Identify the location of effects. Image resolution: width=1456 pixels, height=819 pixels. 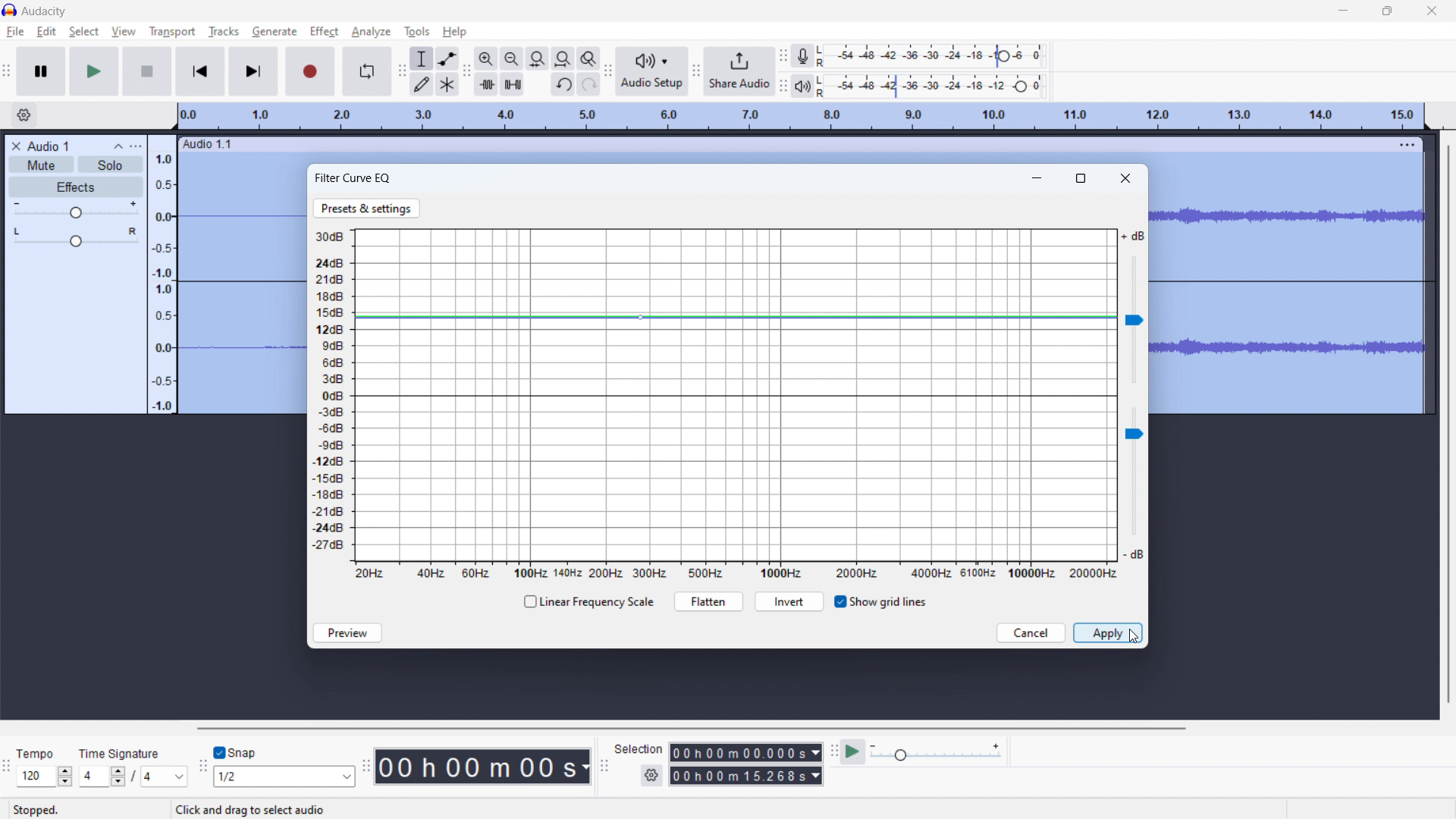
(77, 187).